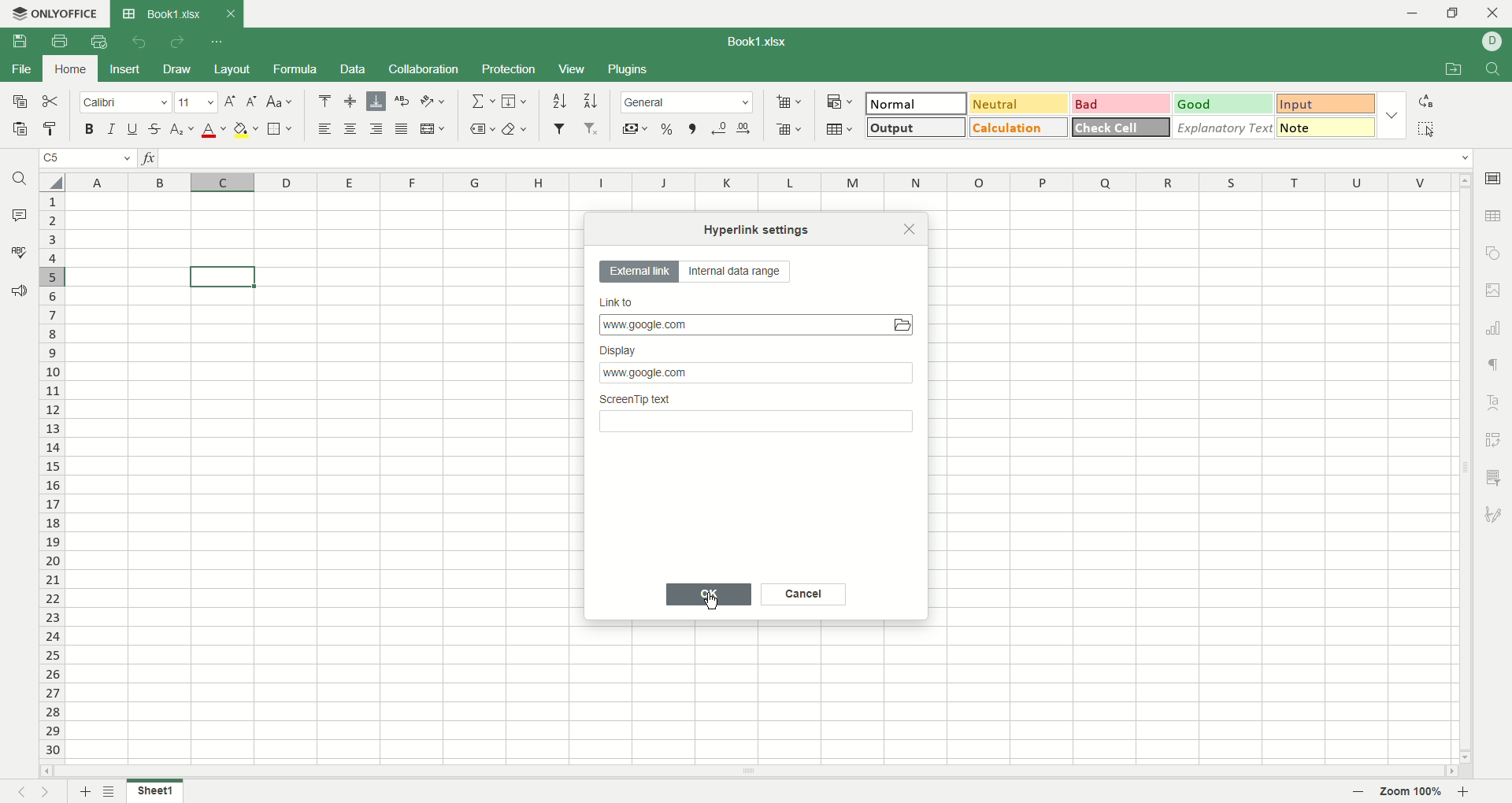 This screenshot has height=803, width=1512. What do you see at coordinates (98, 42) in the screenshot?
I see `quick print` at bounding box center [98, 42].